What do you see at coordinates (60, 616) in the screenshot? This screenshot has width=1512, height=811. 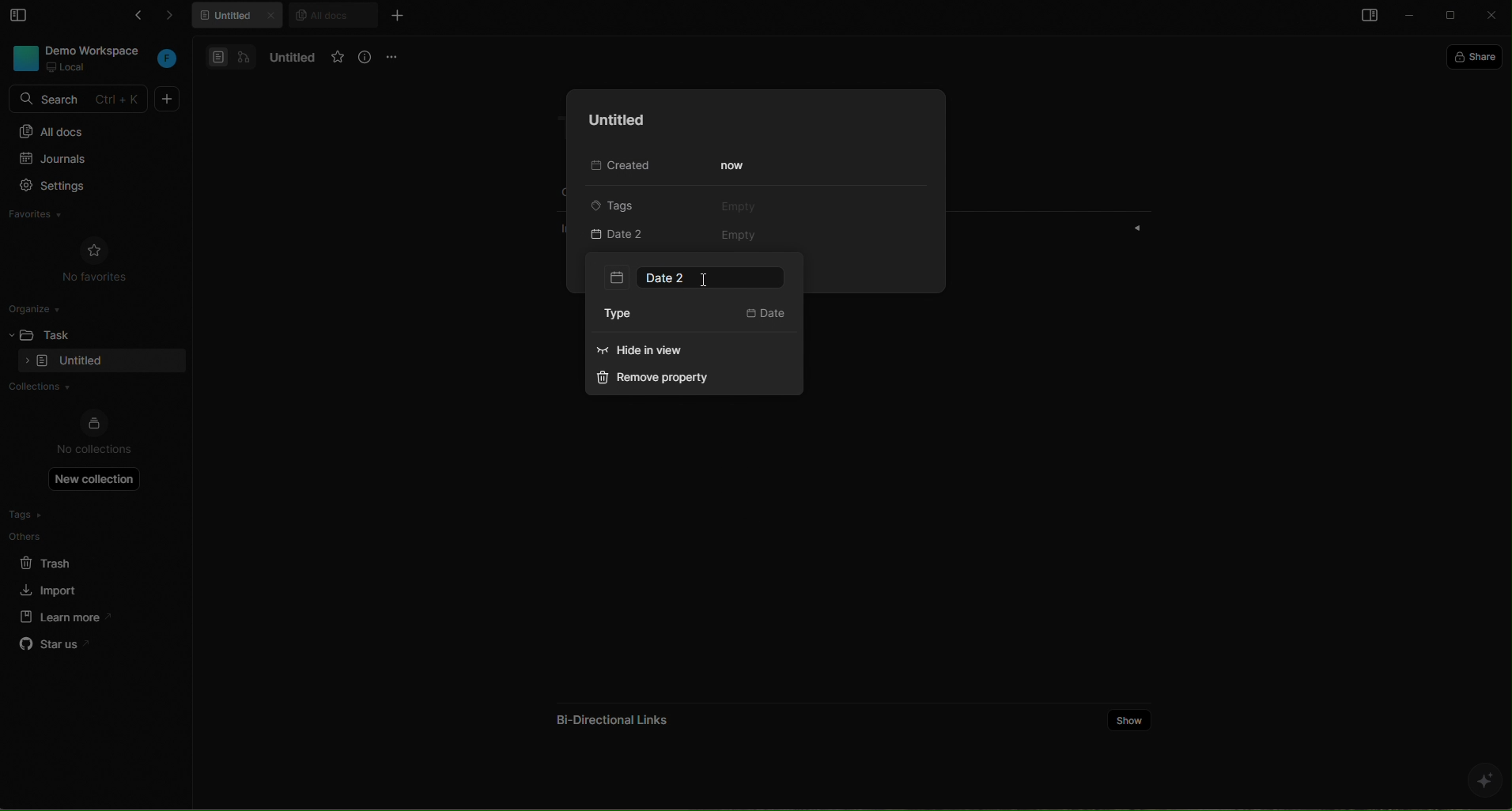 I see `learn more ` at bounding box center [60, 616].